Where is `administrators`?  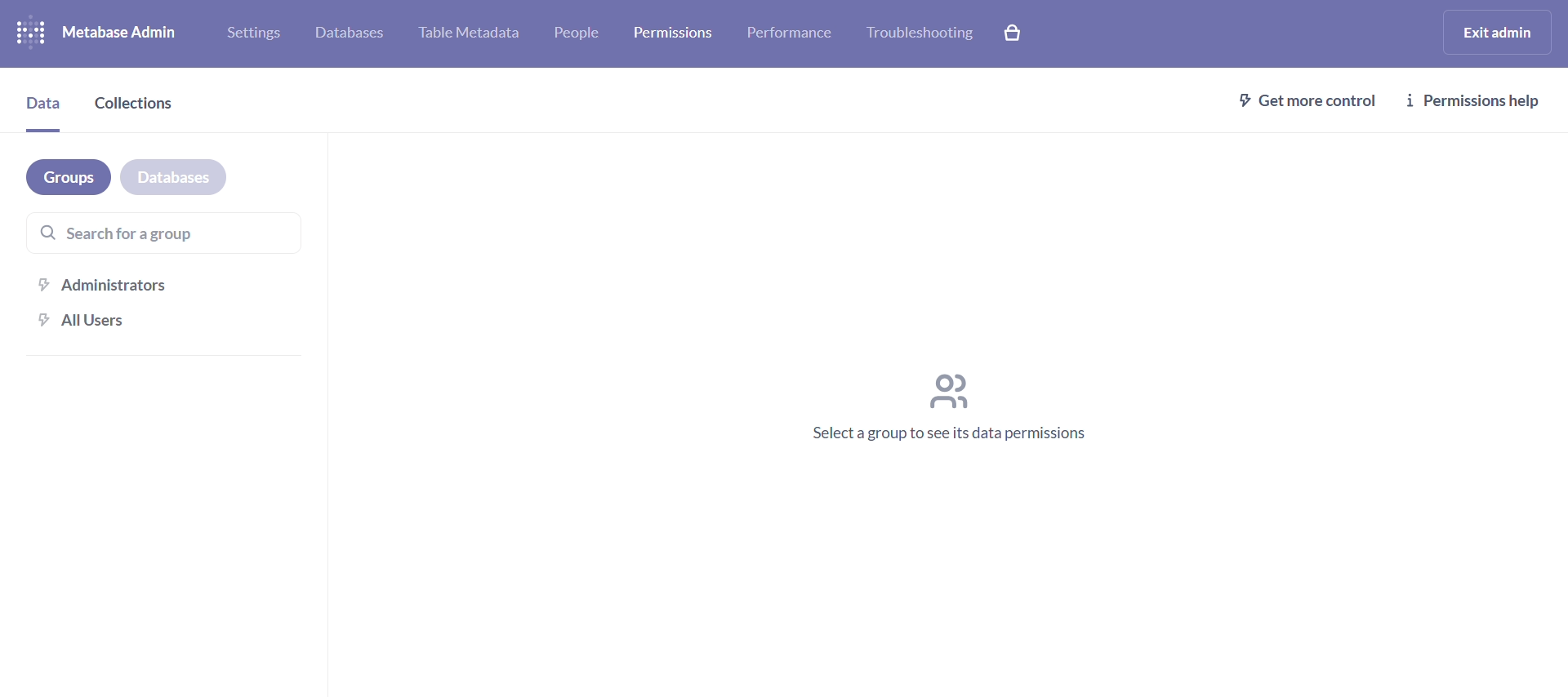 administrators is located at coordinates (167, 283).